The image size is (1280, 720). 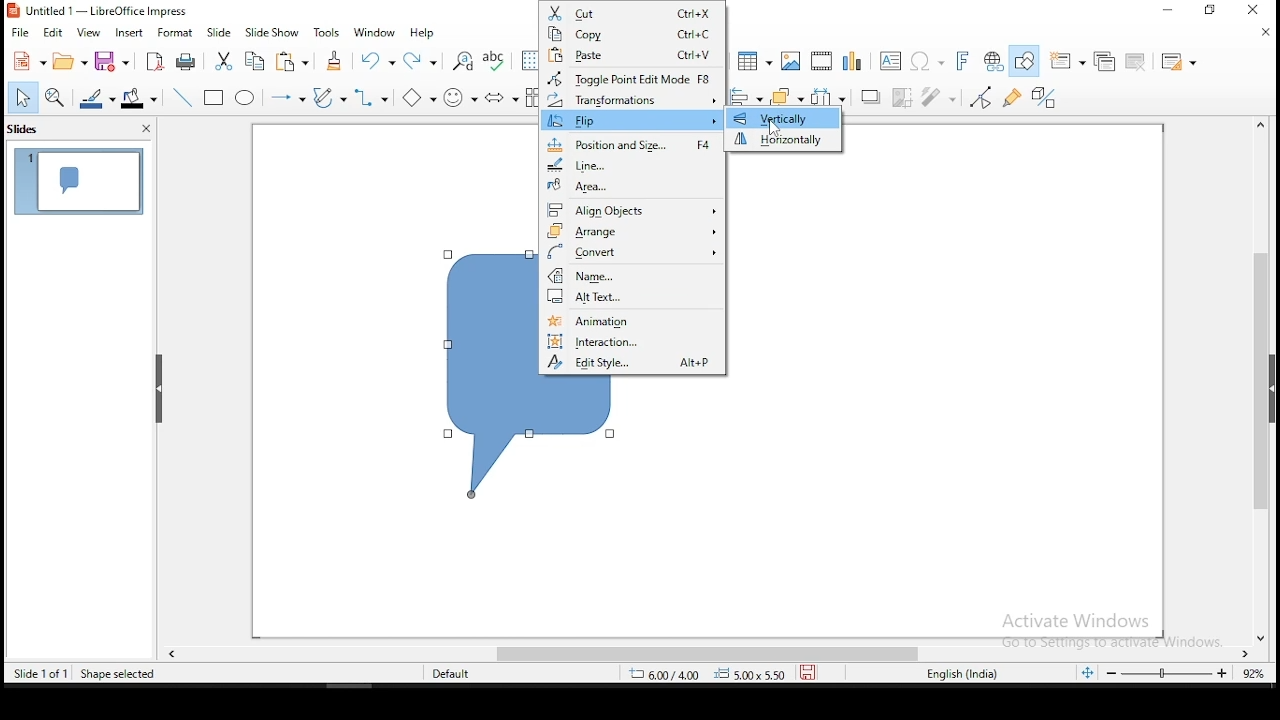 What do you see at coordinates (112, 61) in the screenshot?
I see `save` at bounding box center [112, 61].